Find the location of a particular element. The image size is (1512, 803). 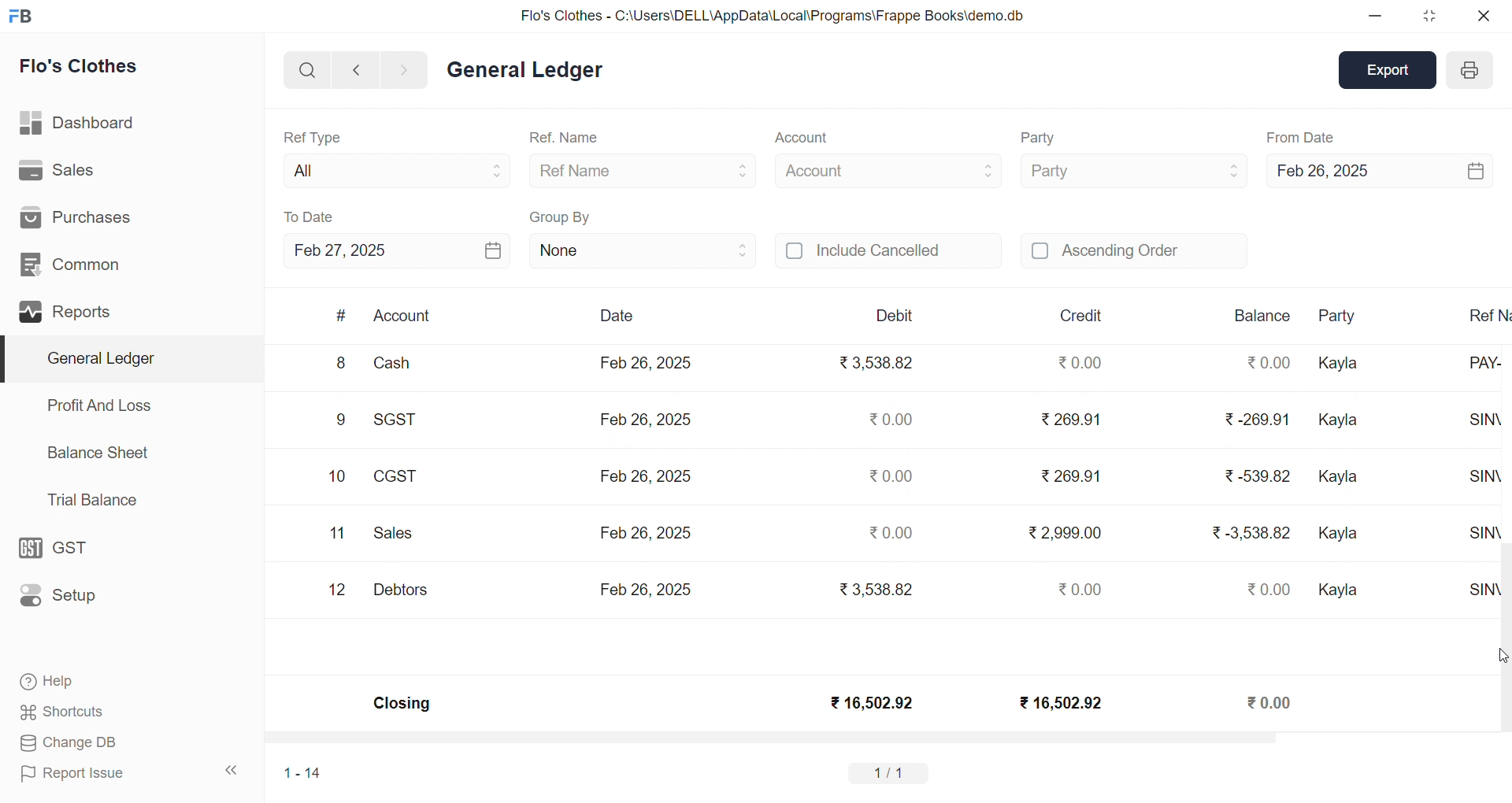

Sales is located at coordinates (57, 168).